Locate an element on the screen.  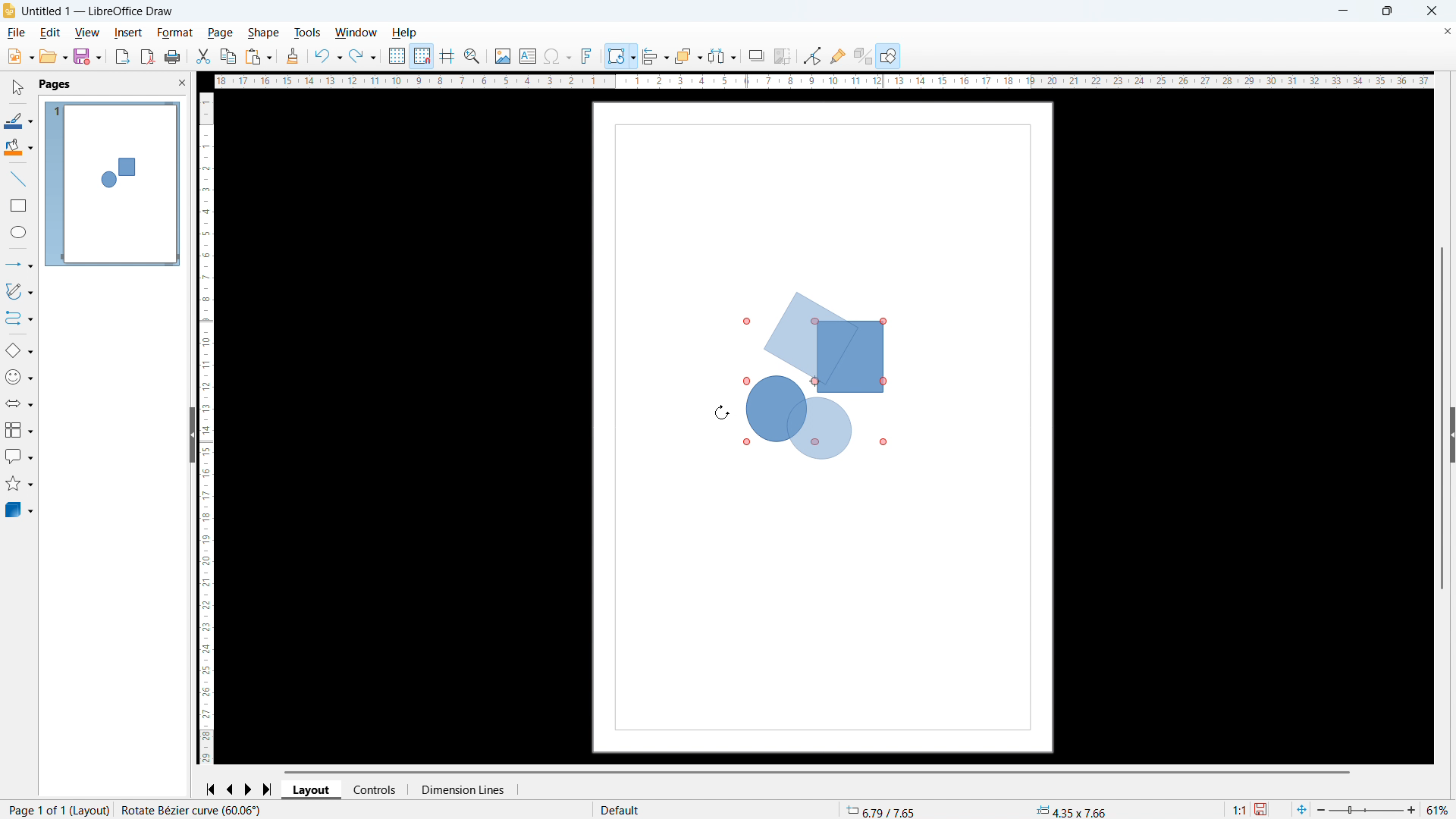
Block arrow  is located at coordinates (19, 402).